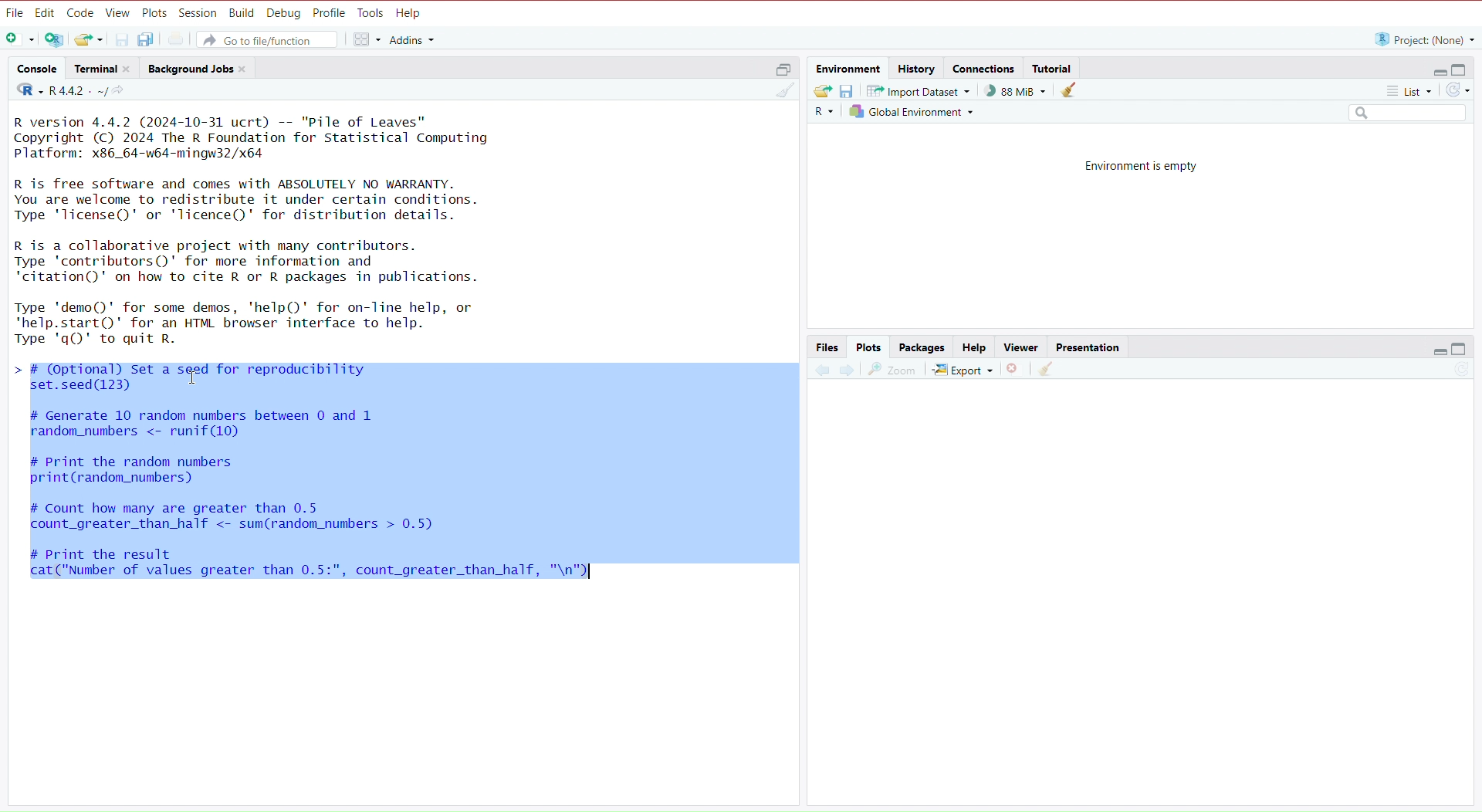 This screenshot has height=812, width=1482. Describe the element at coordinates (284, 12) in the screenshot. I see `Debug` at that location.